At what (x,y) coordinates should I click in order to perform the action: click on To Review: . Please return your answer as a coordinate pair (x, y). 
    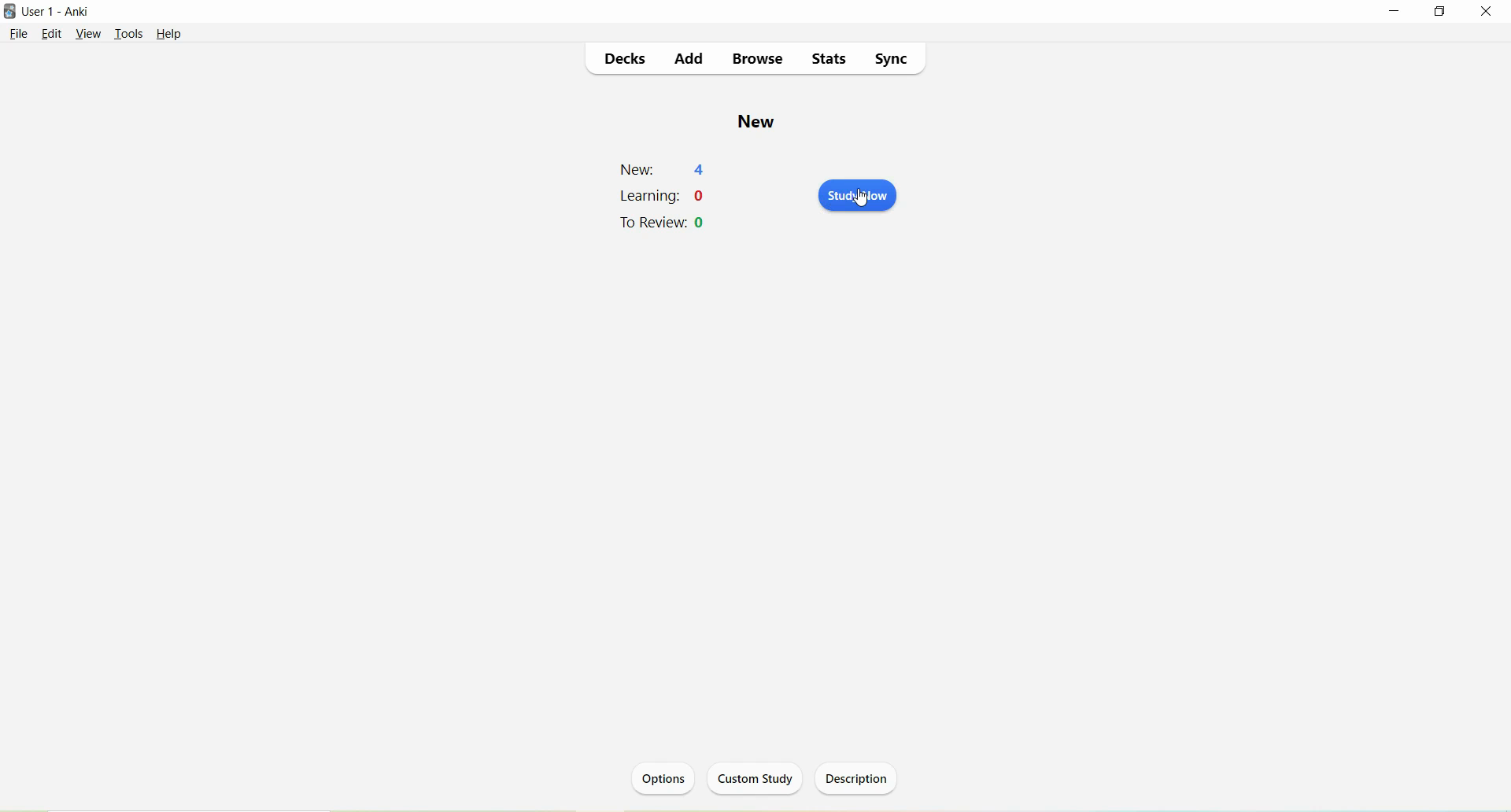
    Looking at the image, I should click on (653, 223).